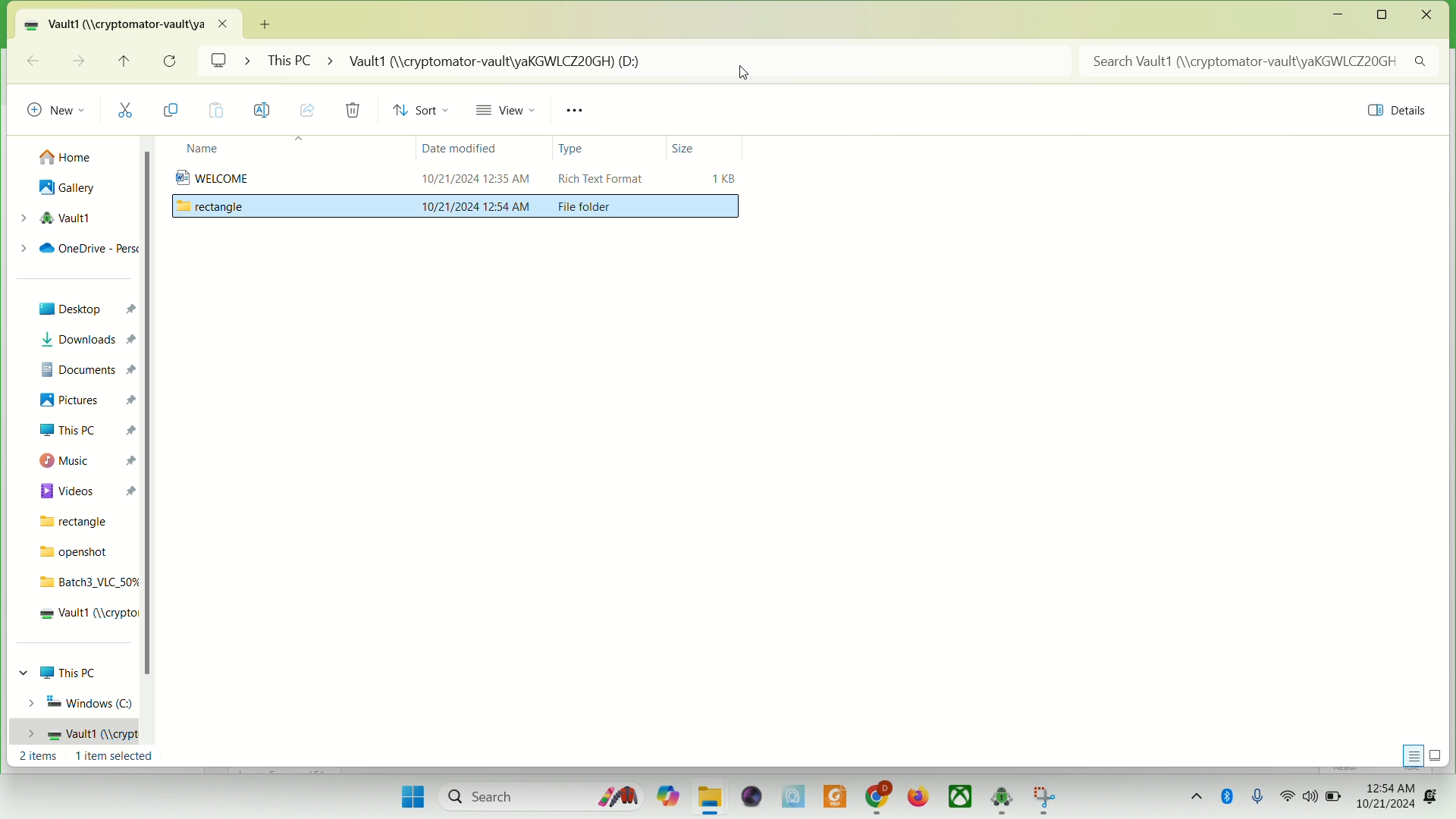  What do you see at coordinates (133, 23) in the screenshot?
I see `vault1 location` at bounding box center [133, 23].